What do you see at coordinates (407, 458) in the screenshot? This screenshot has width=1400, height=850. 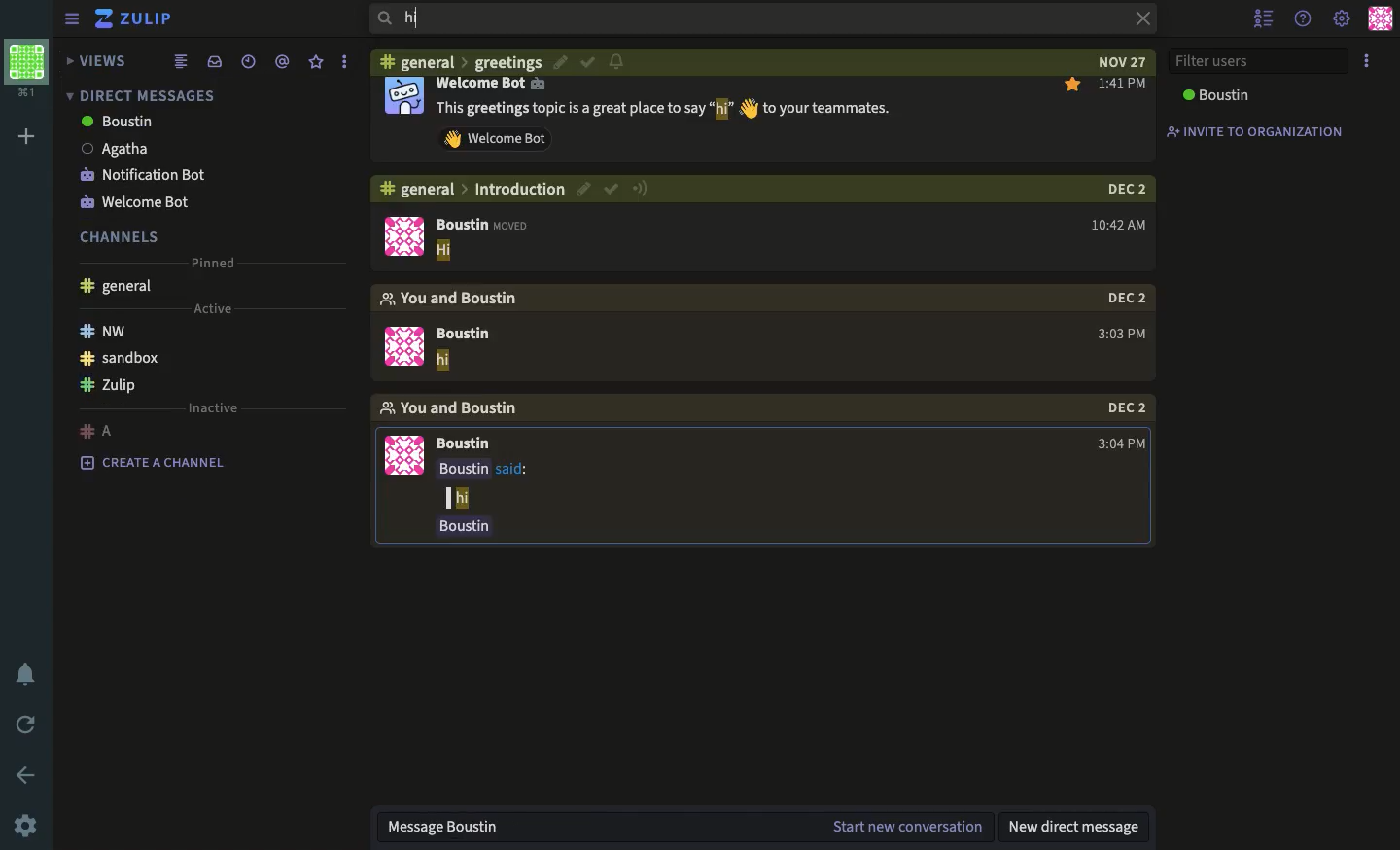 I see `view user card` at bounding box center [407, 458].